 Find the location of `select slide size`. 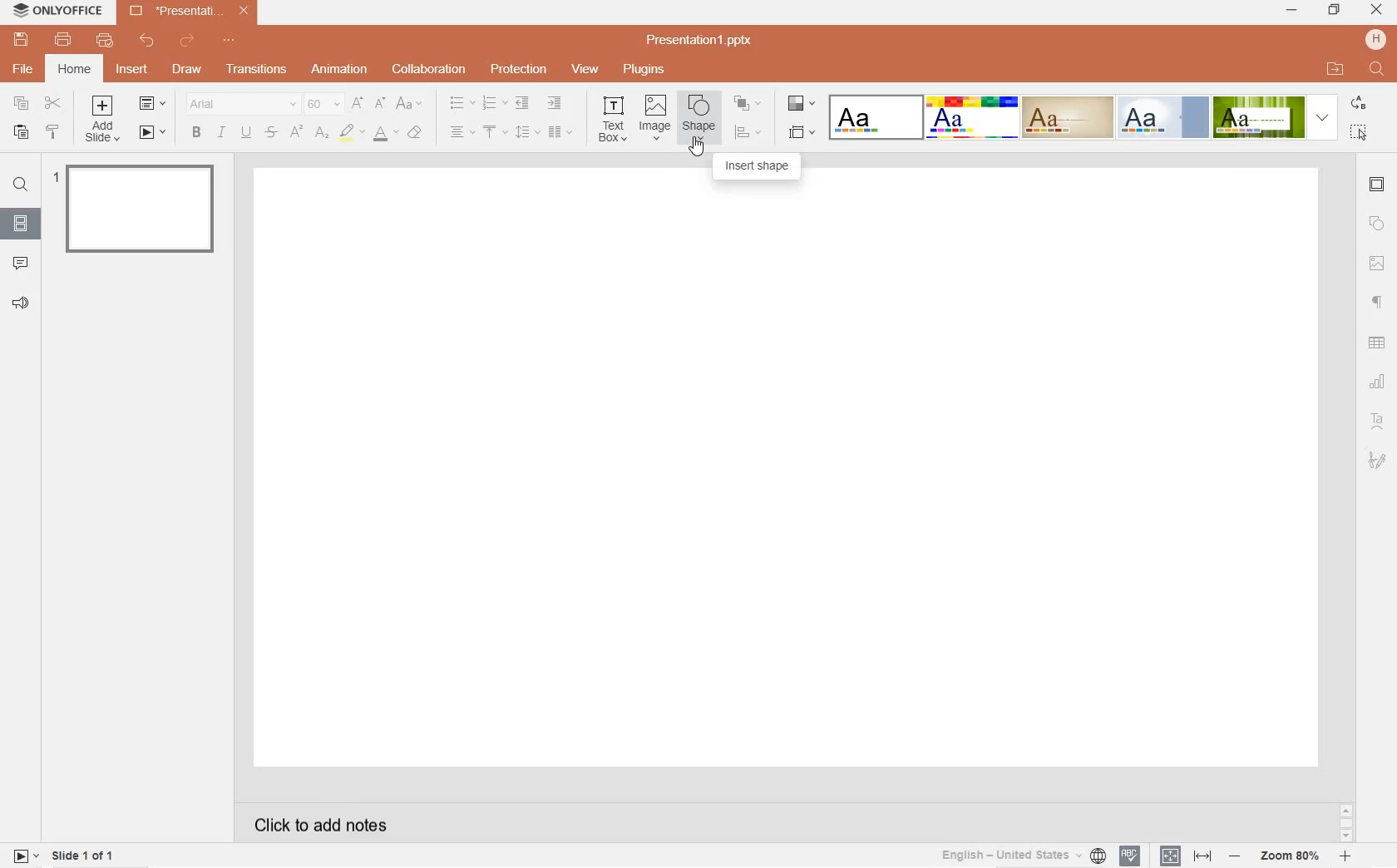

select slide size is located at coordinates (800, 133).